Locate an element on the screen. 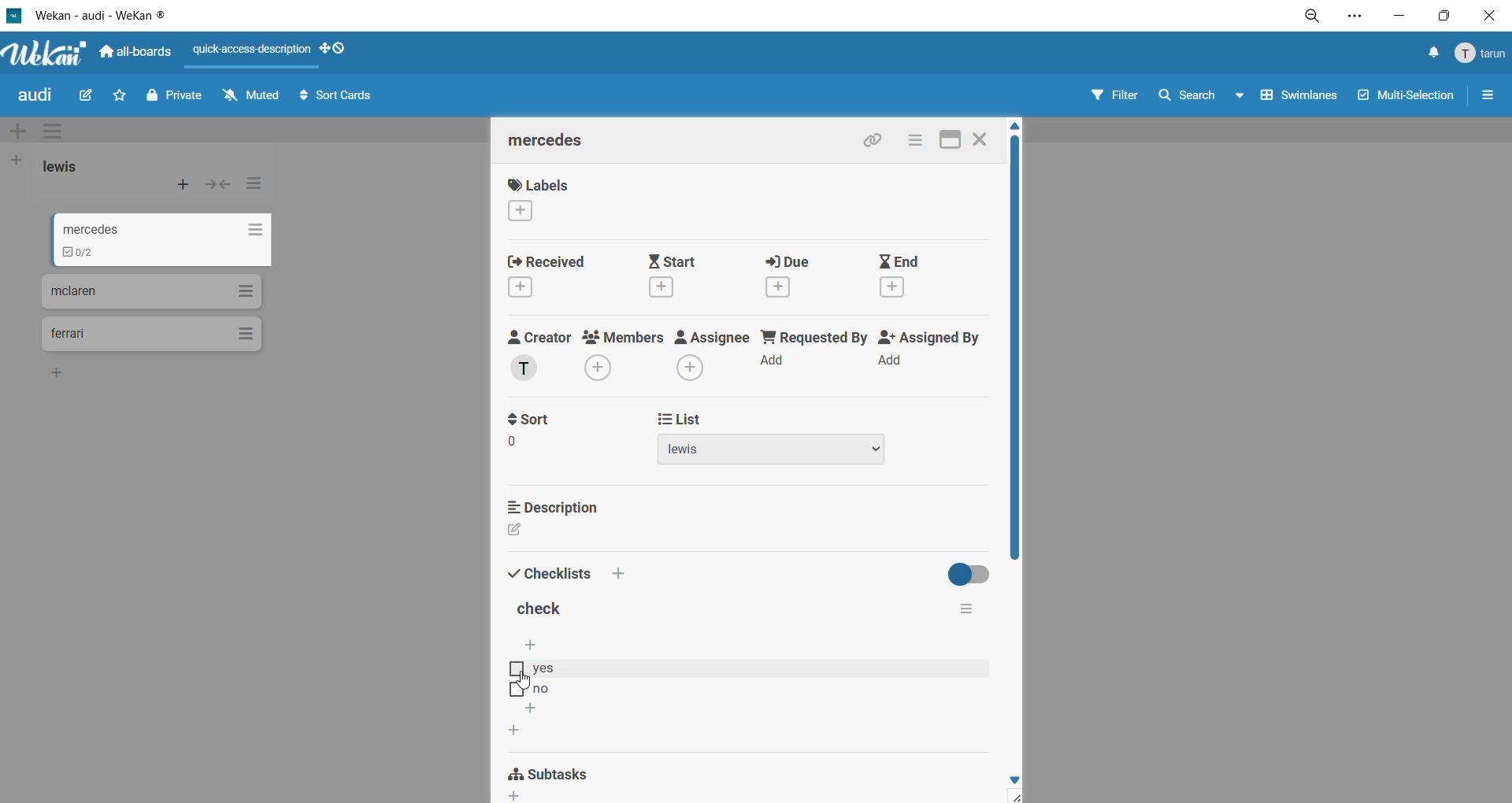  list is located at coordinates (780, 439).